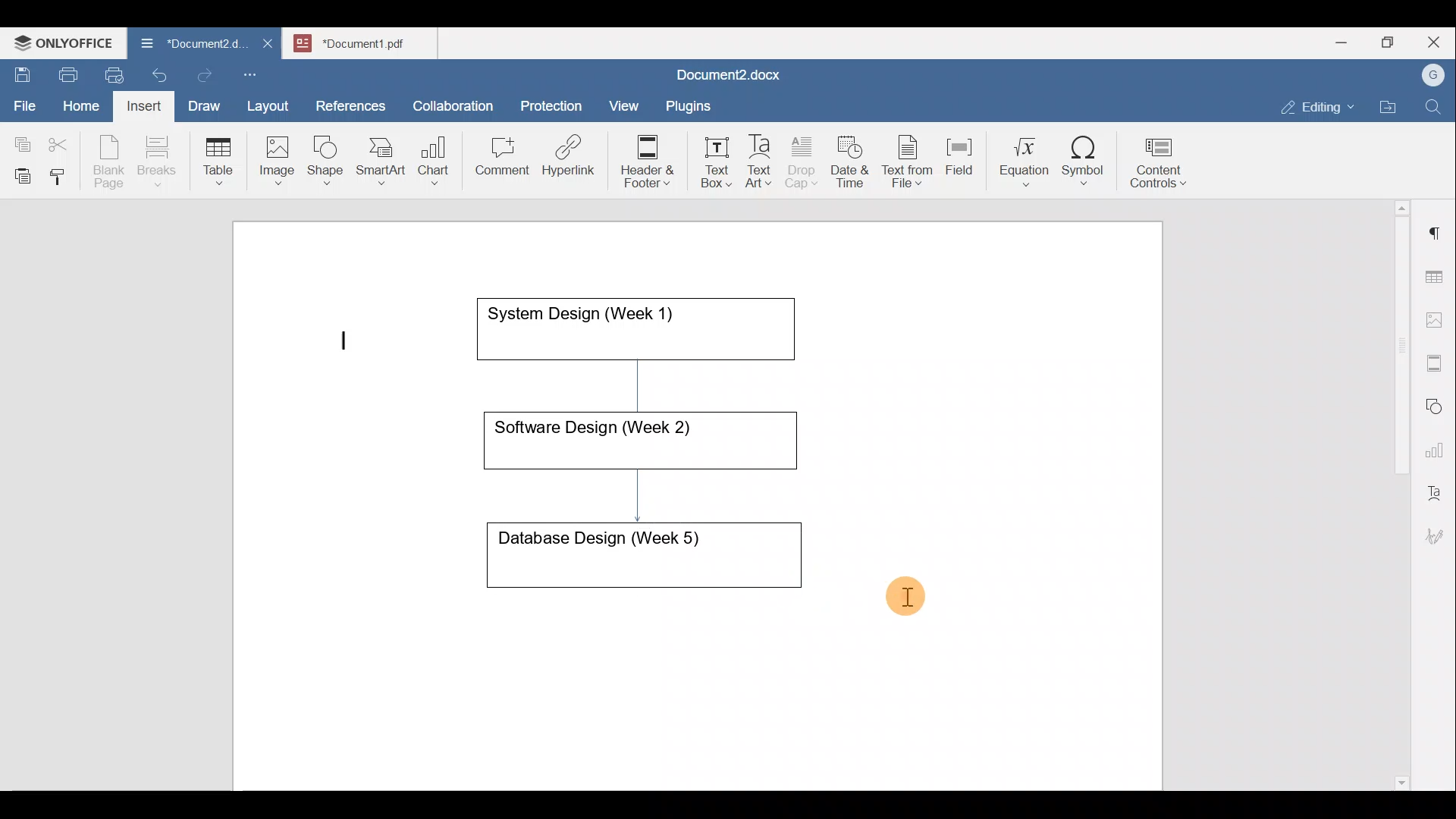 The image size is (1456, 819). I want to click on Close, so click(1436, 43).